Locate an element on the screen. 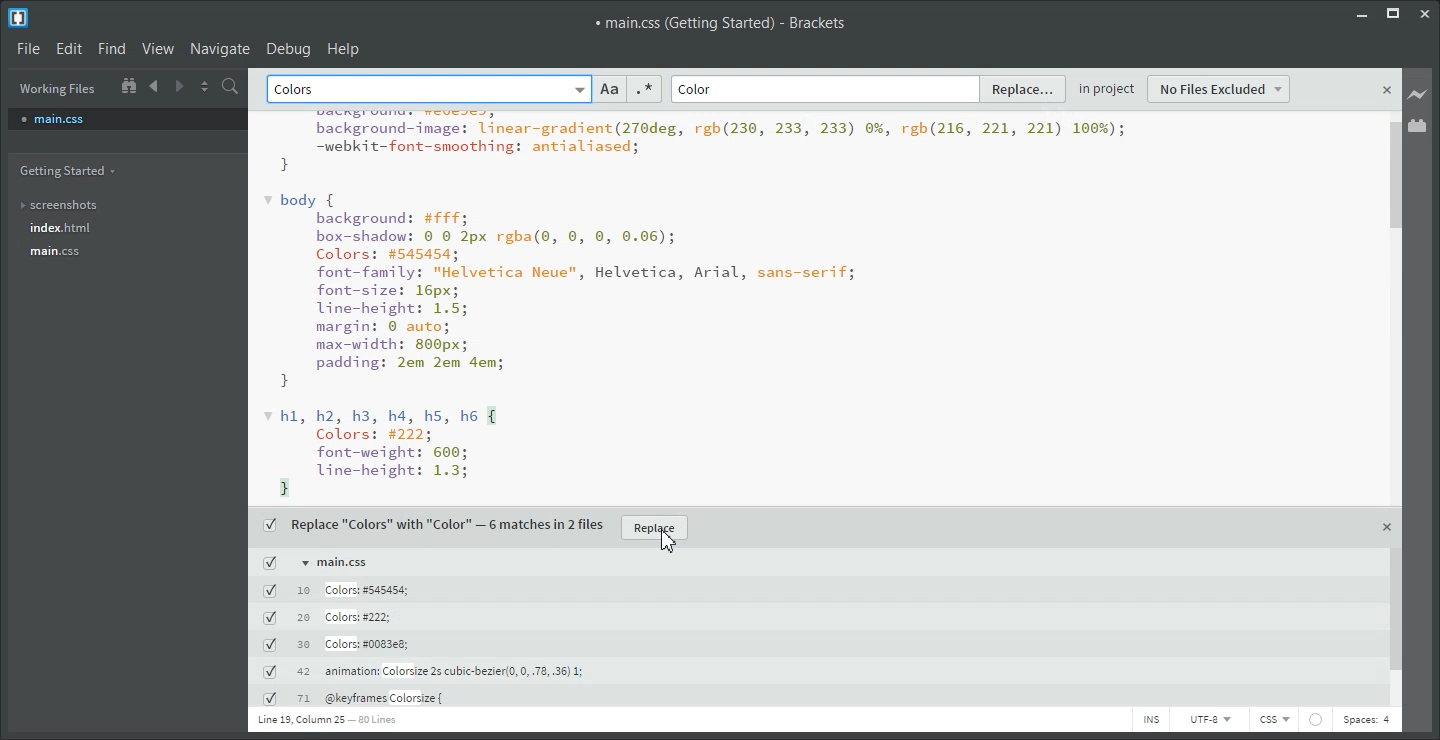  Show In the file tree is located at coordinates (128, 84).